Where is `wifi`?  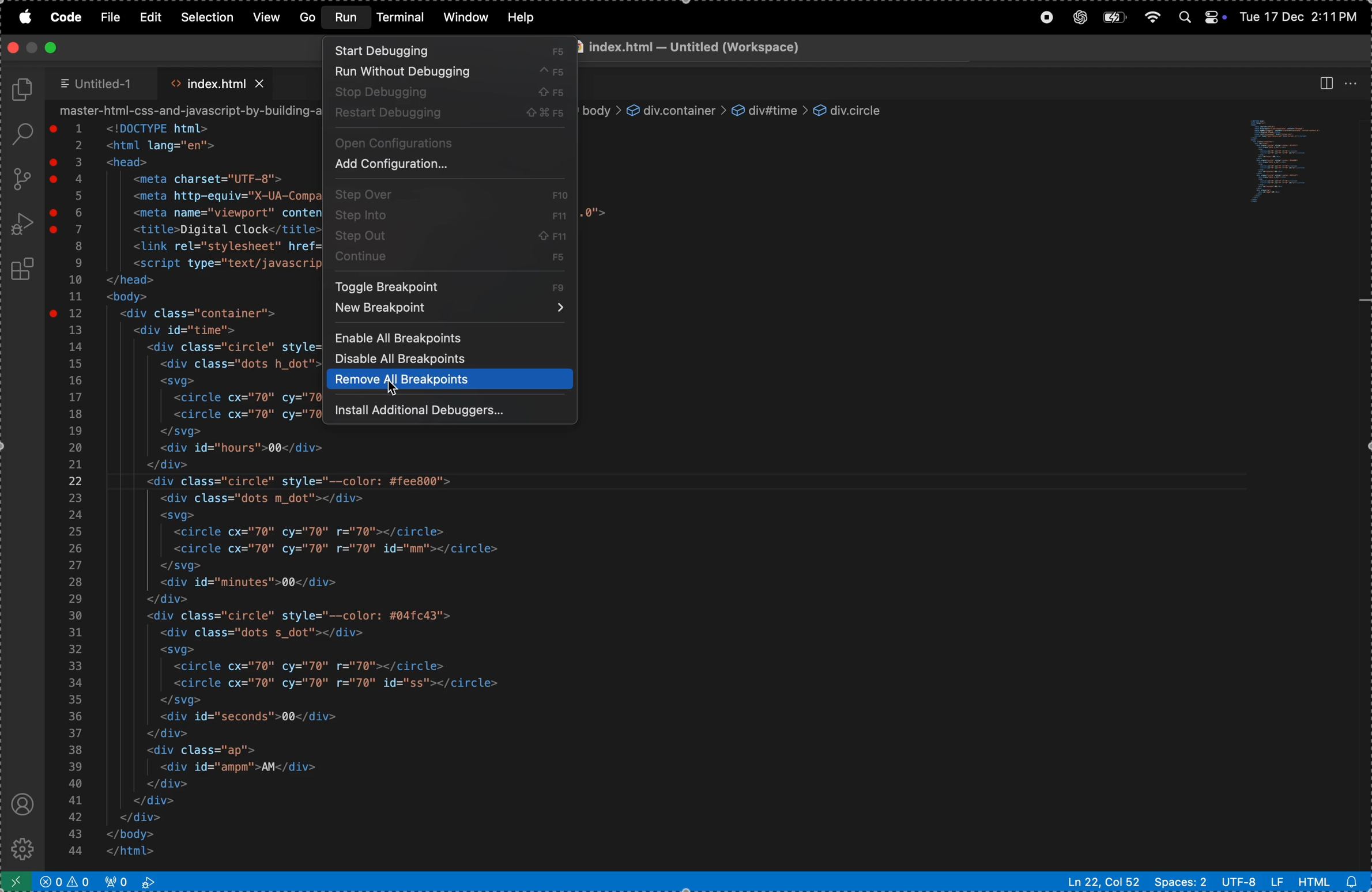
wifi is located at coordinates (1150, 14).